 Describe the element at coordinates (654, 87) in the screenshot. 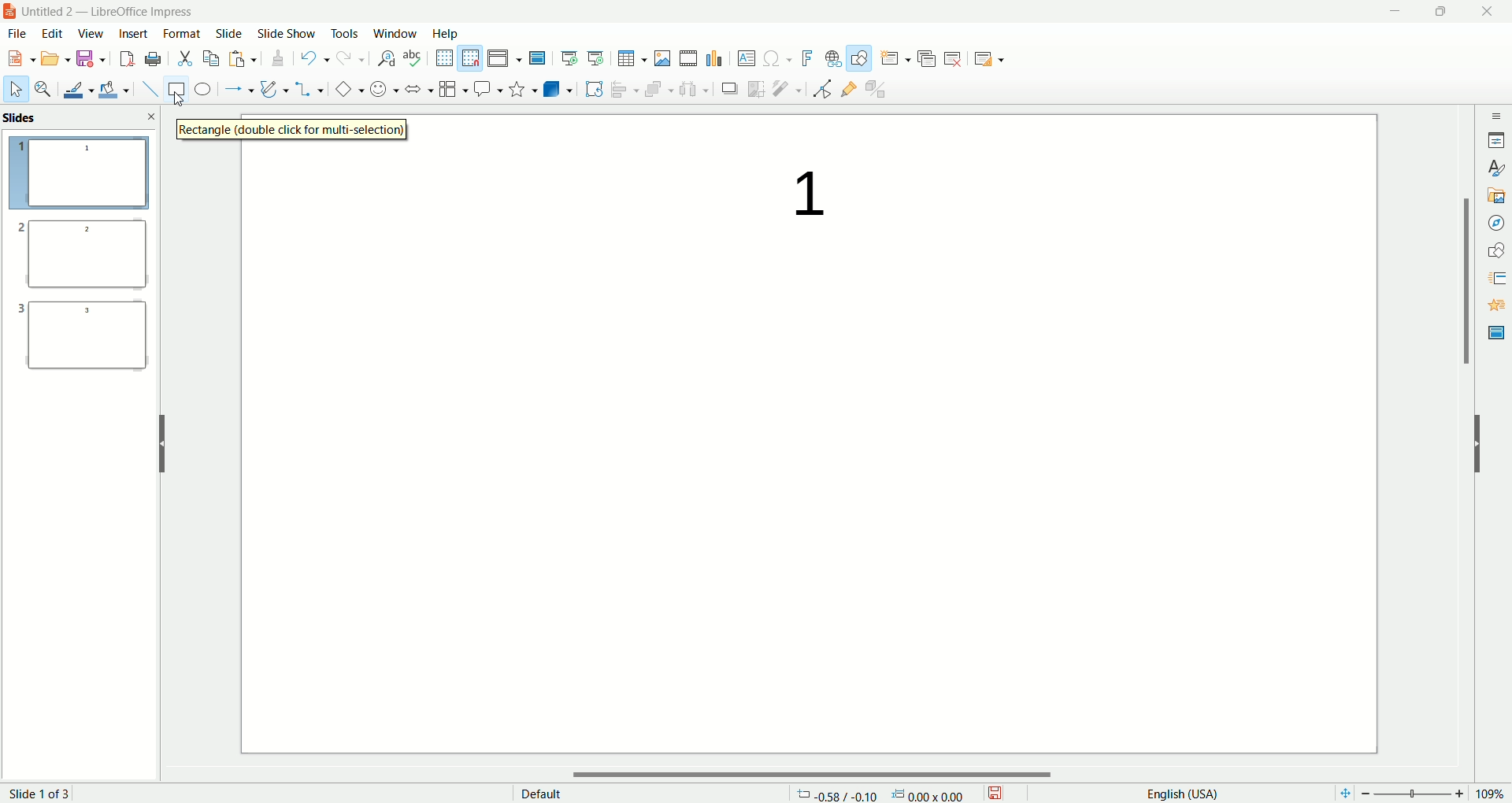

I see `arrange` at that location.